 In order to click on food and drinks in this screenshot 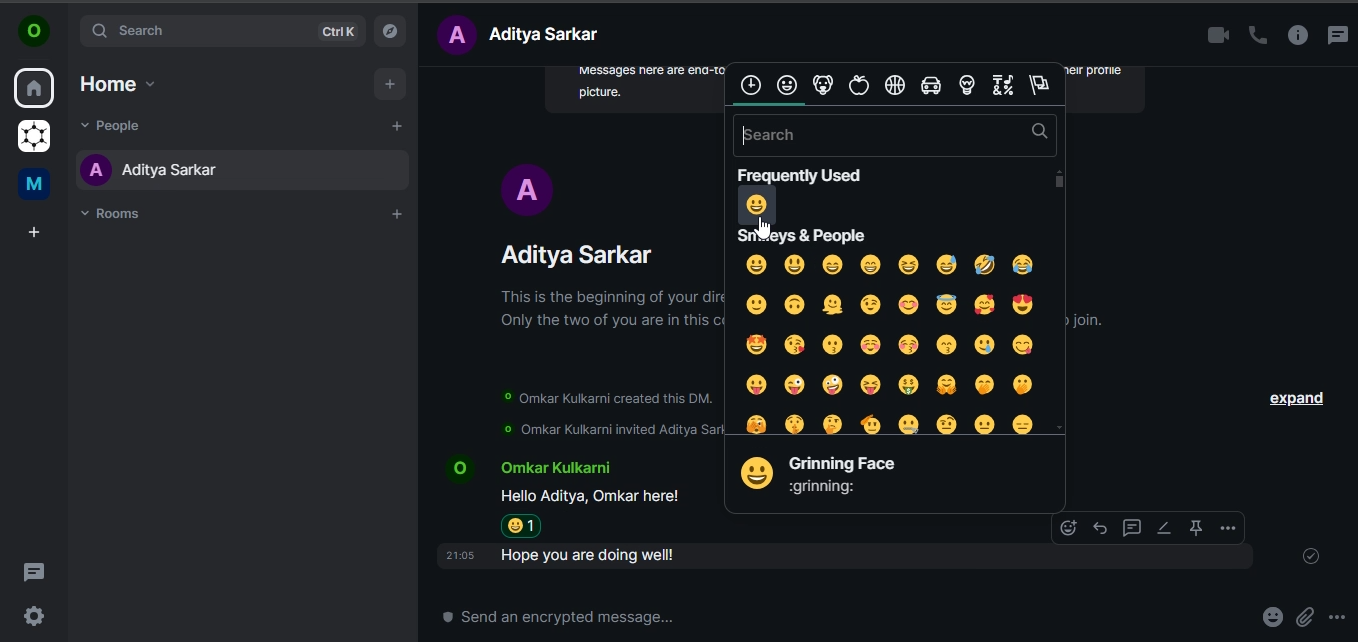, I will do `click(861, 85)`.